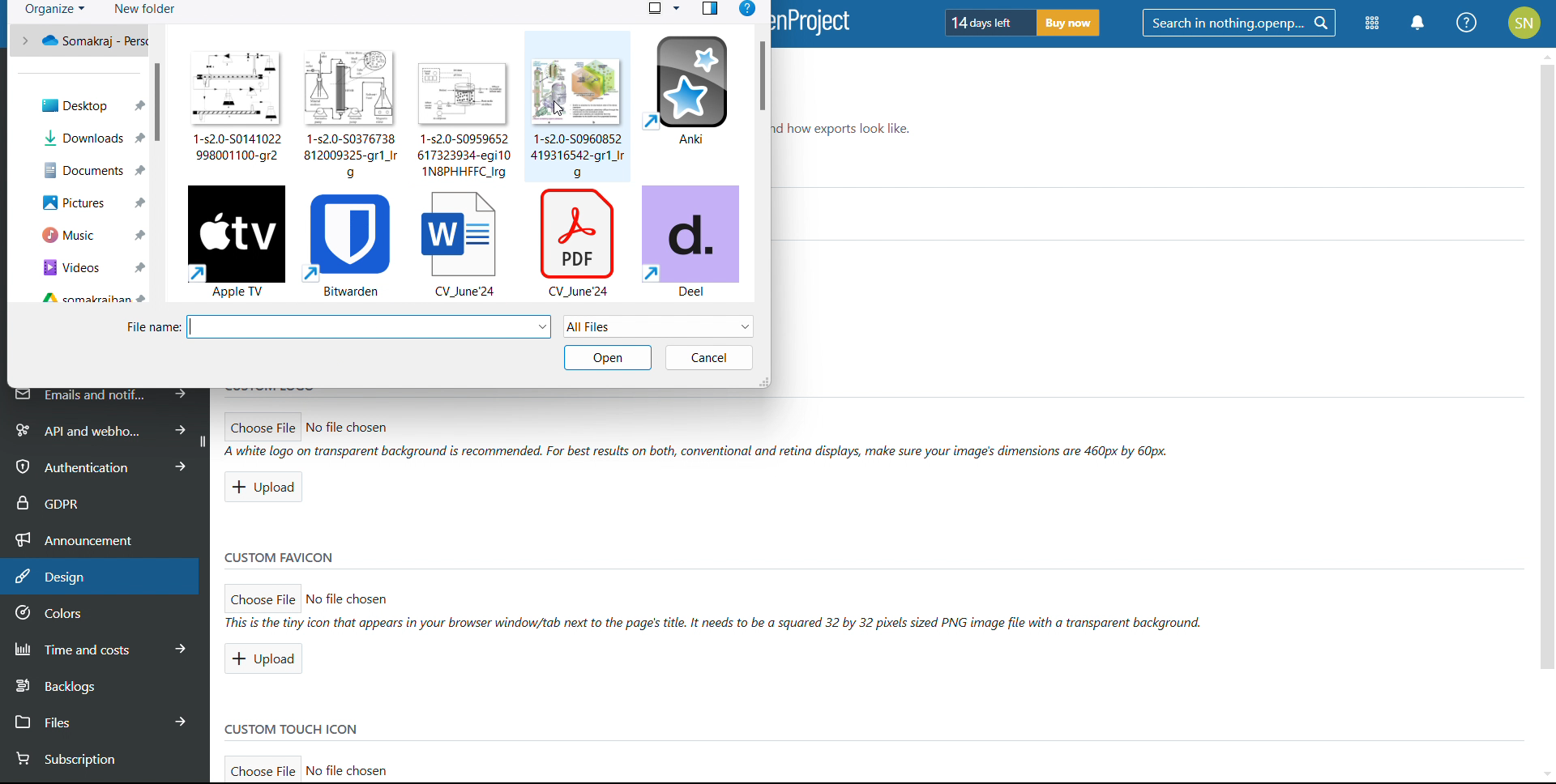 The image size is (1556, 784). What do you see at coordinates (262, 658) in the screenshot?
I see `upload` at bounding box center [262, 658].